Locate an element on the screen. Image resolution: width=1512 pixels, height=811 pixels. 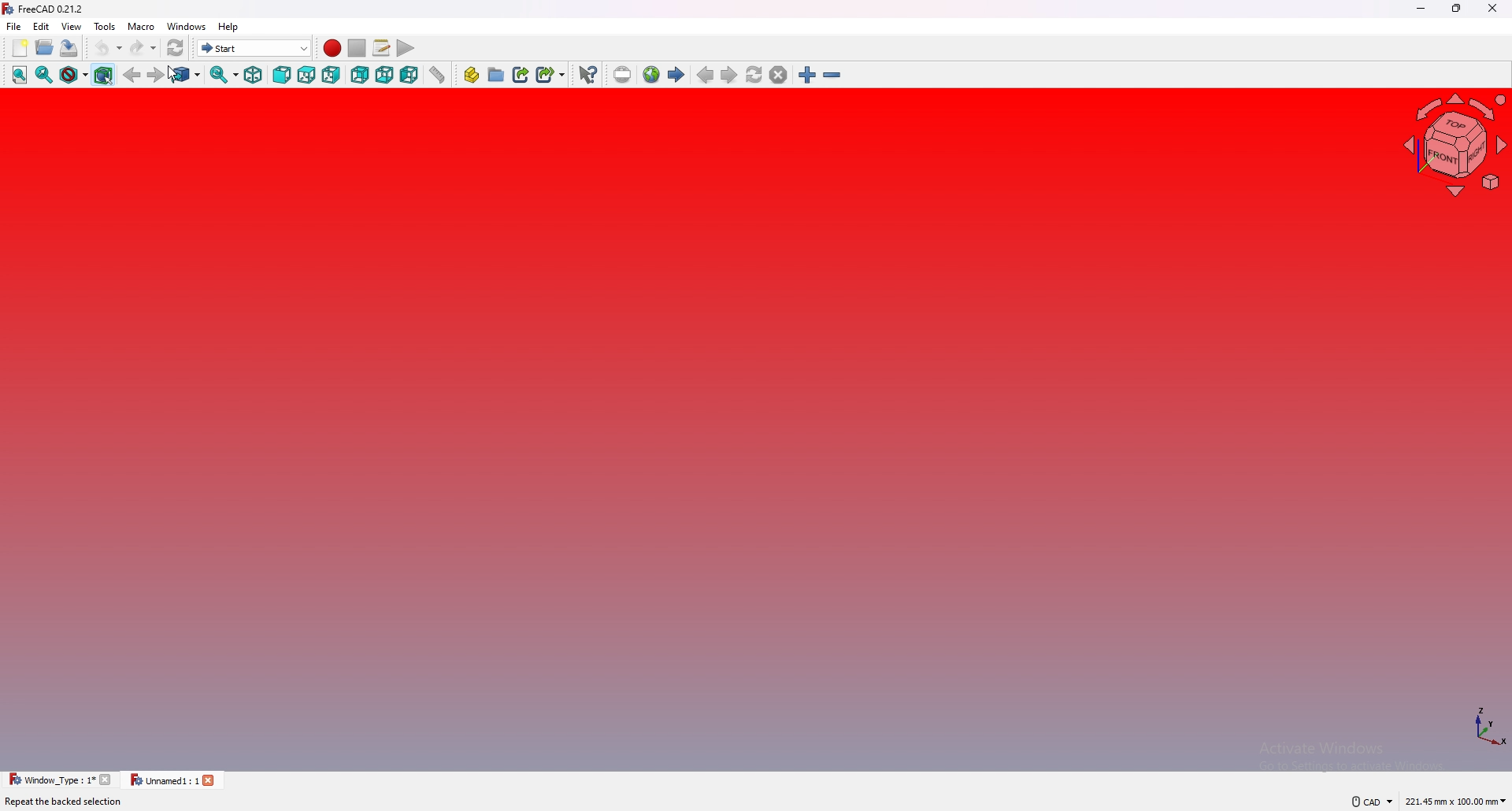
cursor is located at coordinates (176, 74).